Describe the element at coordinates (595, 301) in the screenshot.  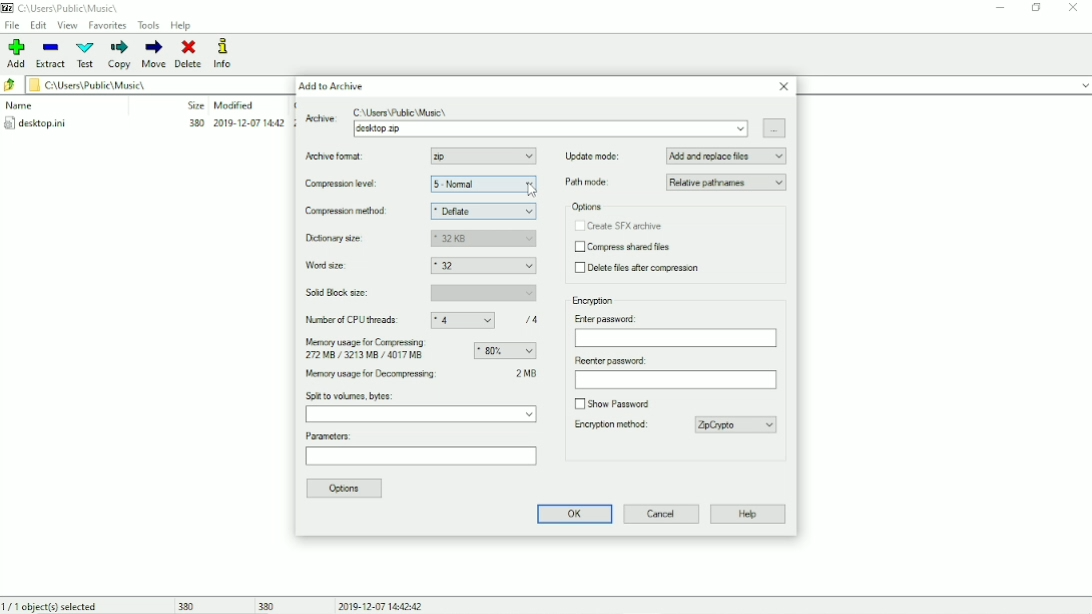
I see `Encryption` at that location.